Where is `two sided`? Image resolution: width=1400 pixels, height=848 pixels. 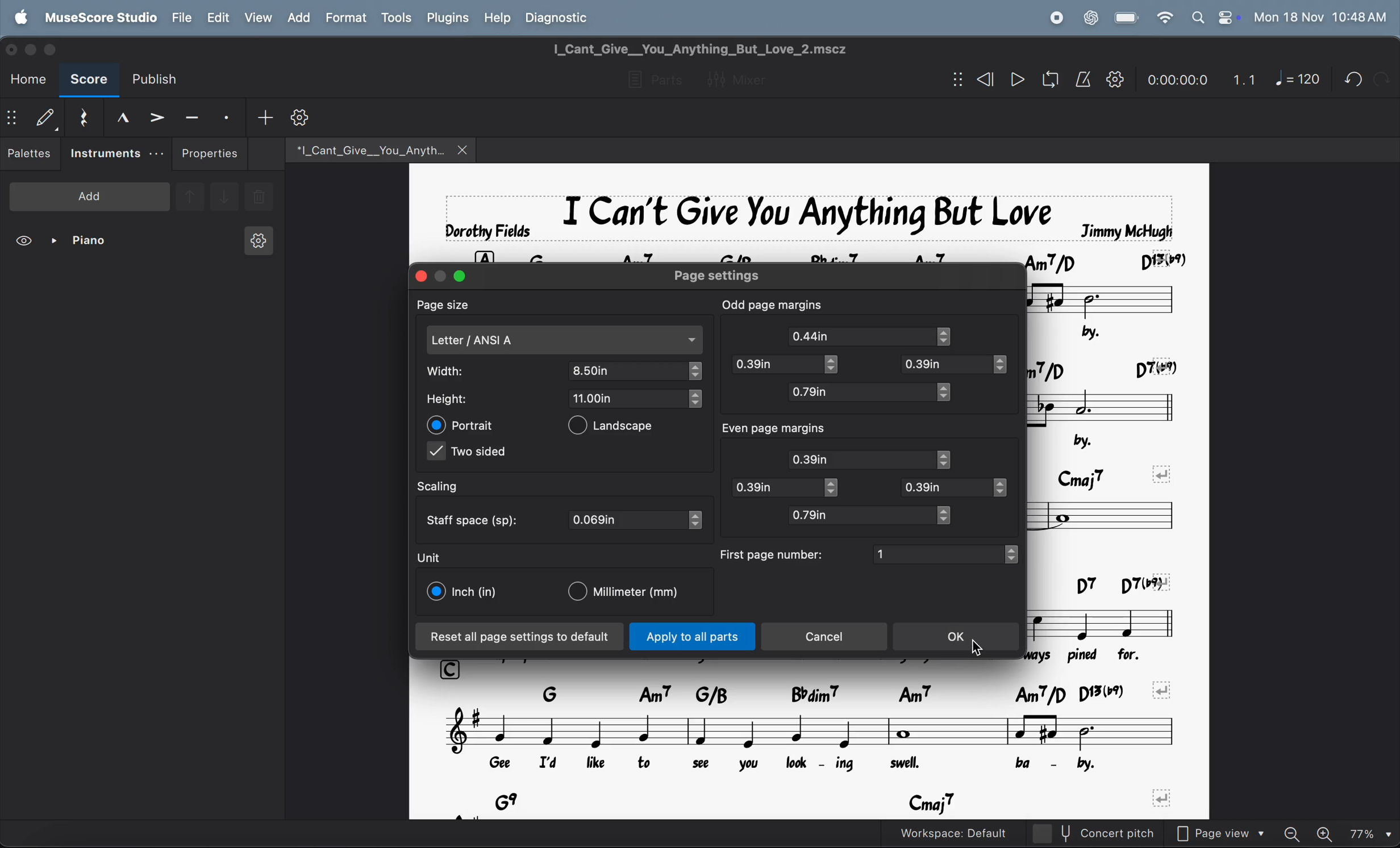 two sided is located at coordinates (470, 454).